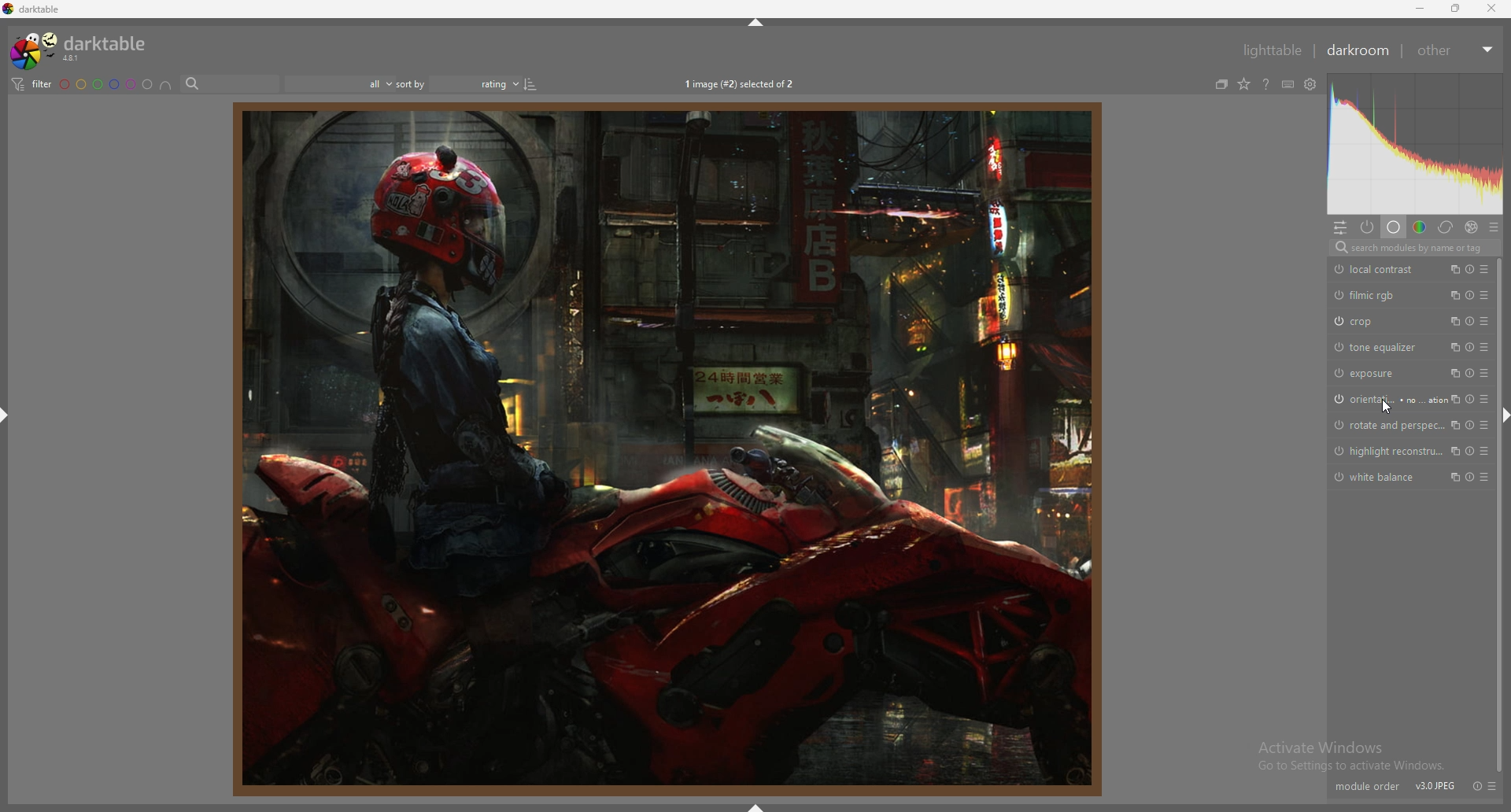 The image size is (1511, 812). What do you see at coordinates (1488, 399) in the screenshot?
I see `presets` at bounding box center [1488, 399].